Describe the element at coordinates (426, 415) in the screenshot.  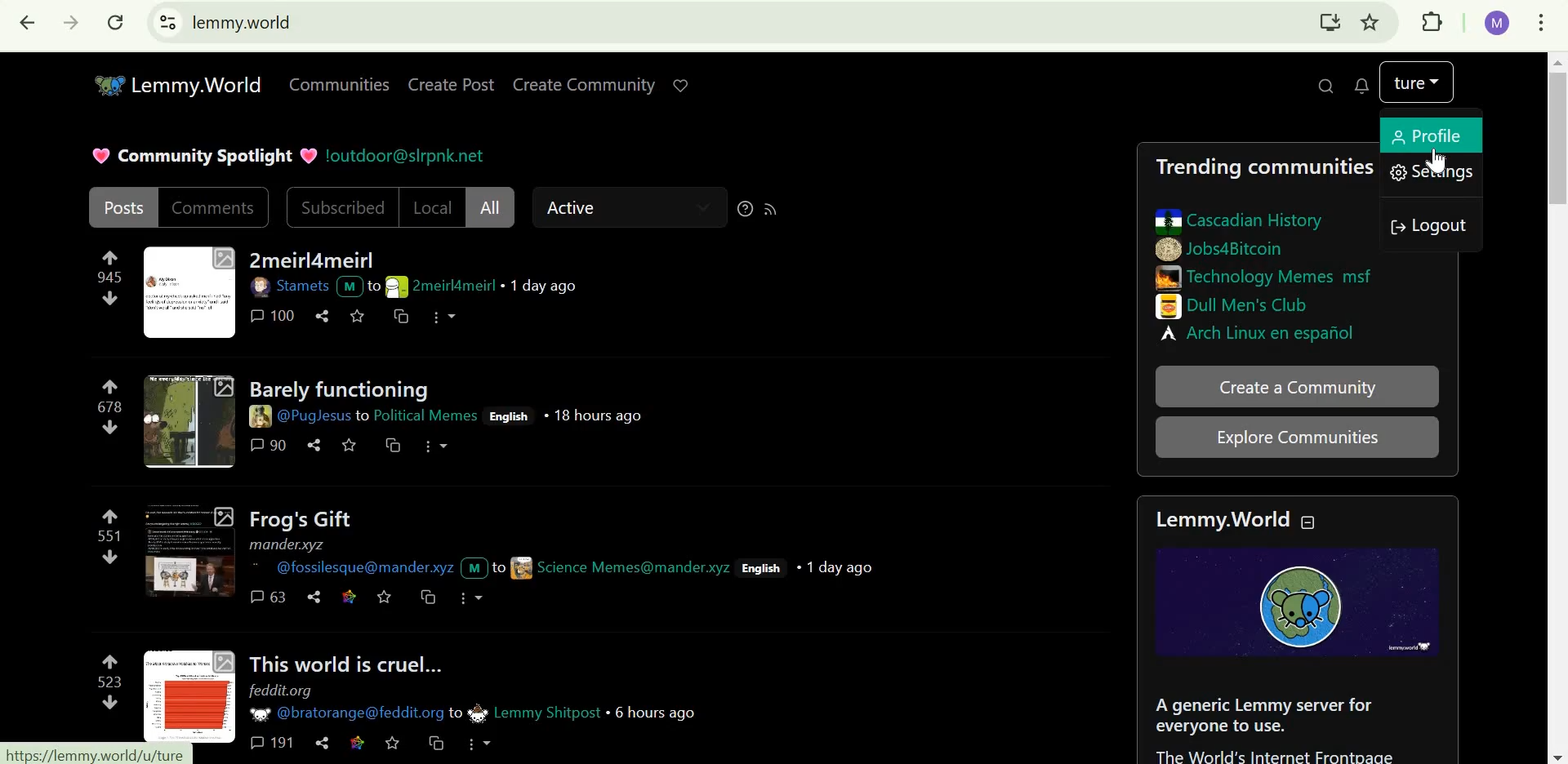
I see `community name` at that location.